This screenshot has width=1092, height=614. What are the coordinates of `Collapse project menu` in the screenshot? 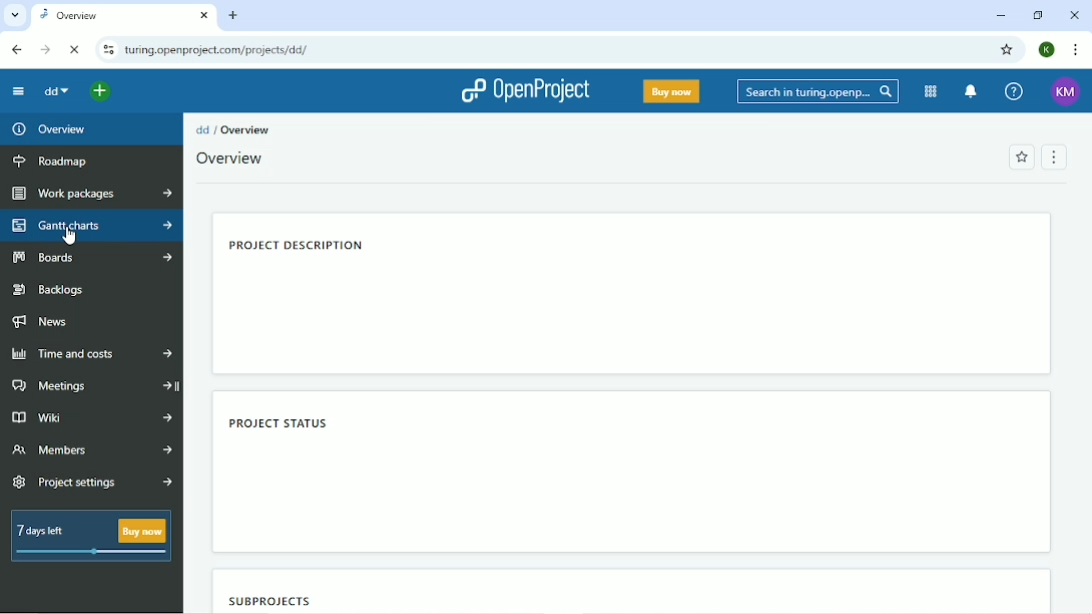 It's located at (17, 91).